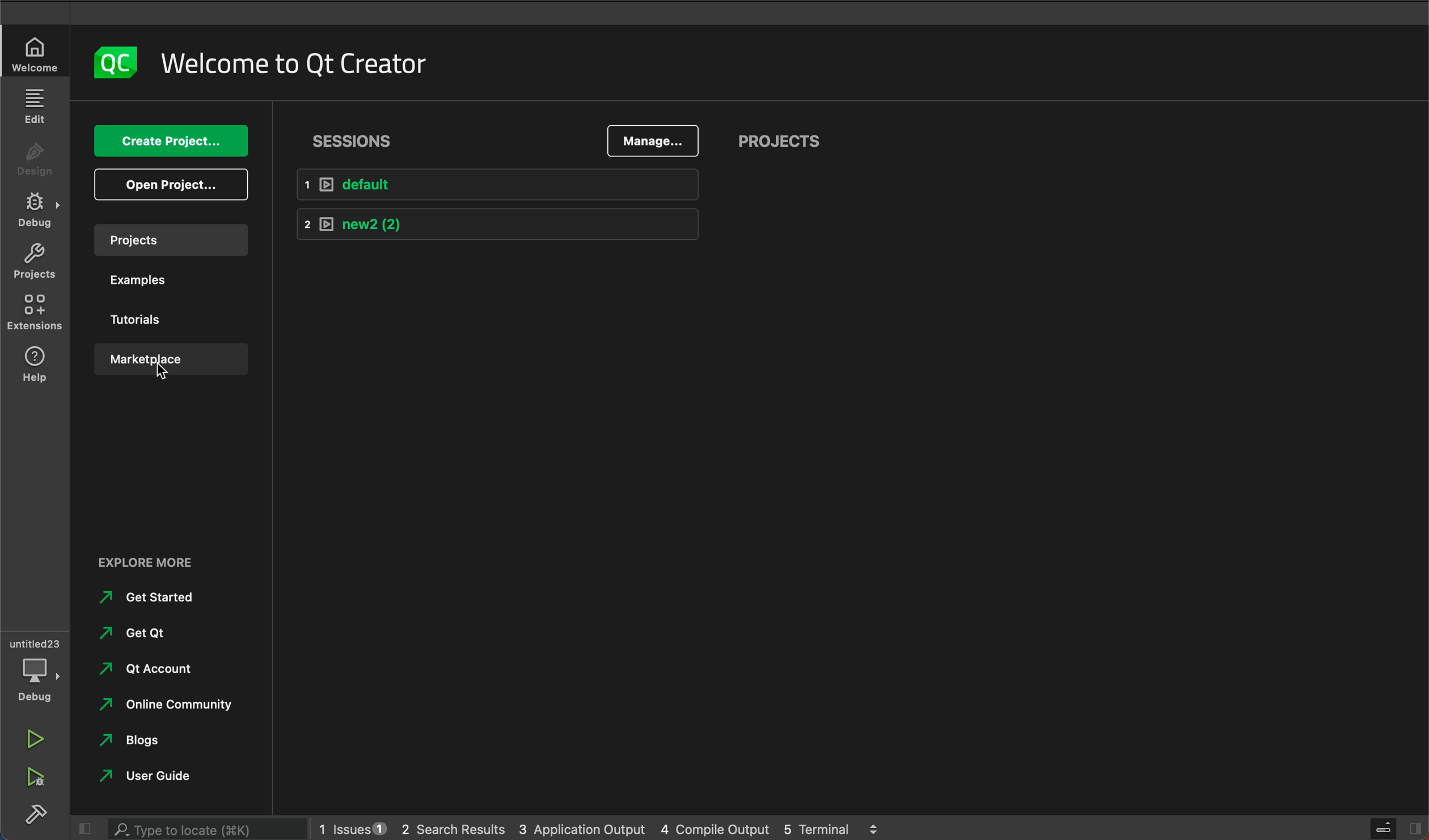 The width and height of the screenshot is (1429, 840). I want to click on search, so click(204, 830).